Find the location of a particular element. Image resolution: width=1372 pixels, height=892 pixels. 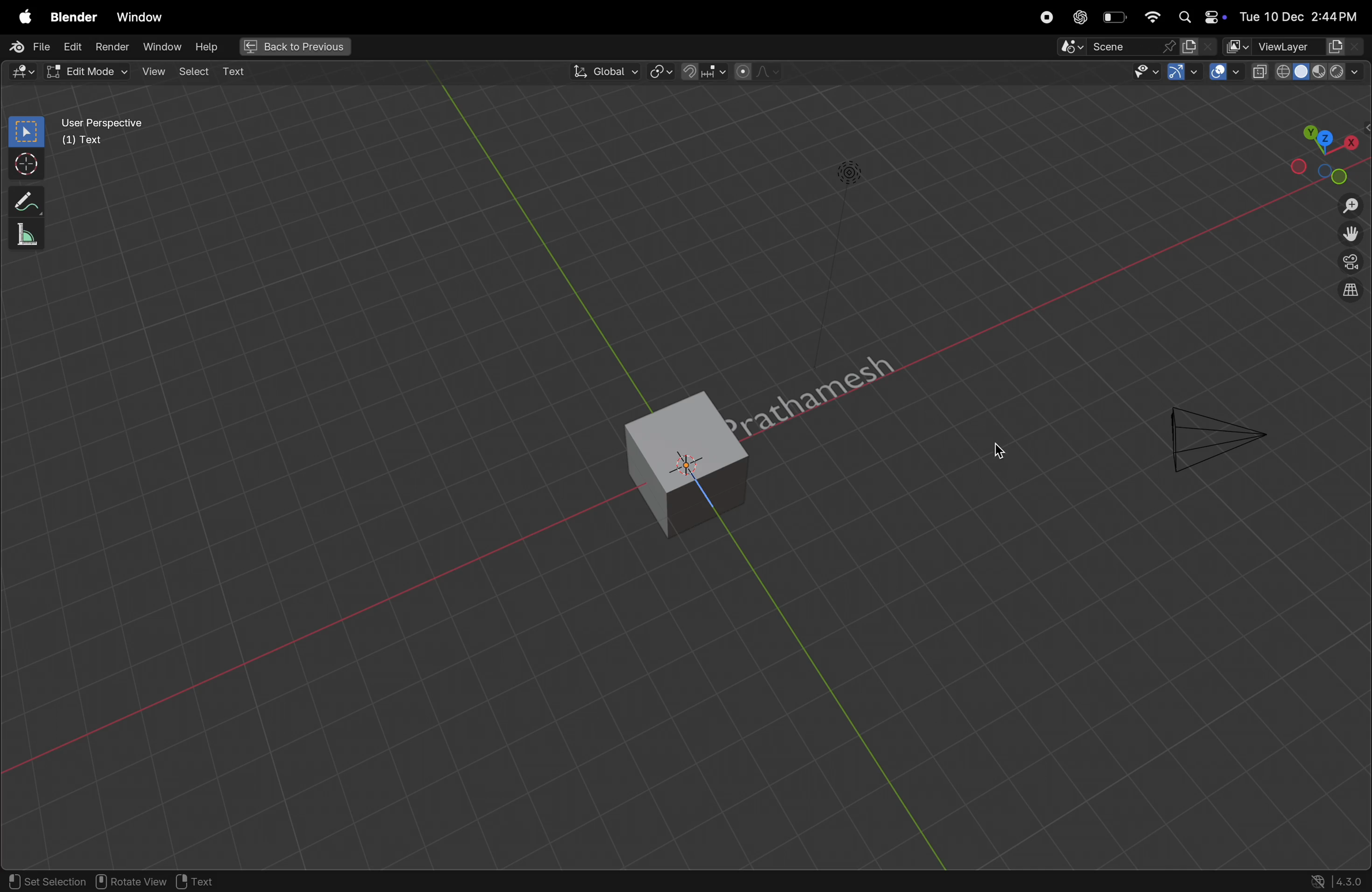

wifi is located at coordinates (1152, 17).